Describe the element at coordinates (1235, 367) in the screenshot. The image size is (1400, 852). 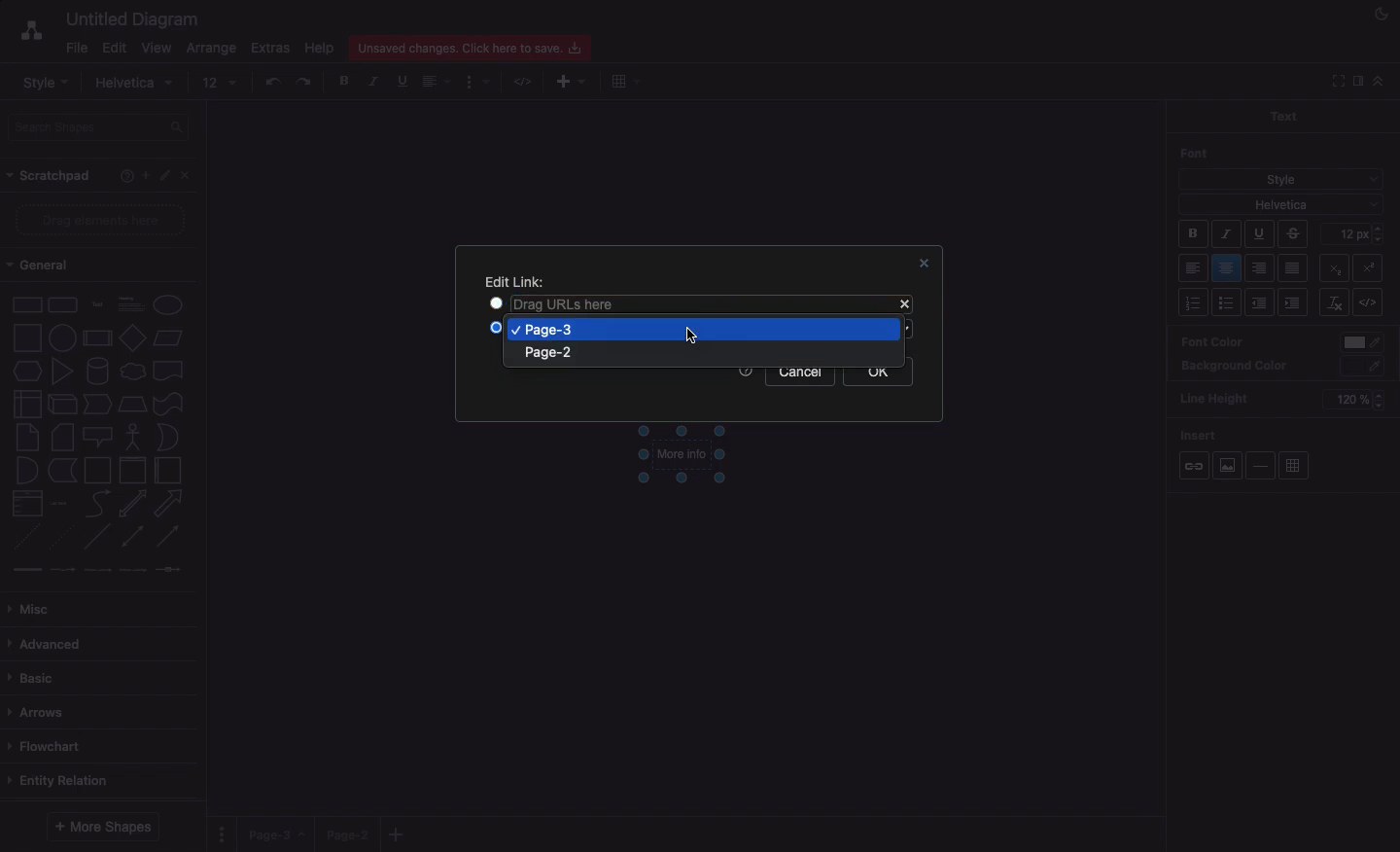
I see `Background color` at that location.